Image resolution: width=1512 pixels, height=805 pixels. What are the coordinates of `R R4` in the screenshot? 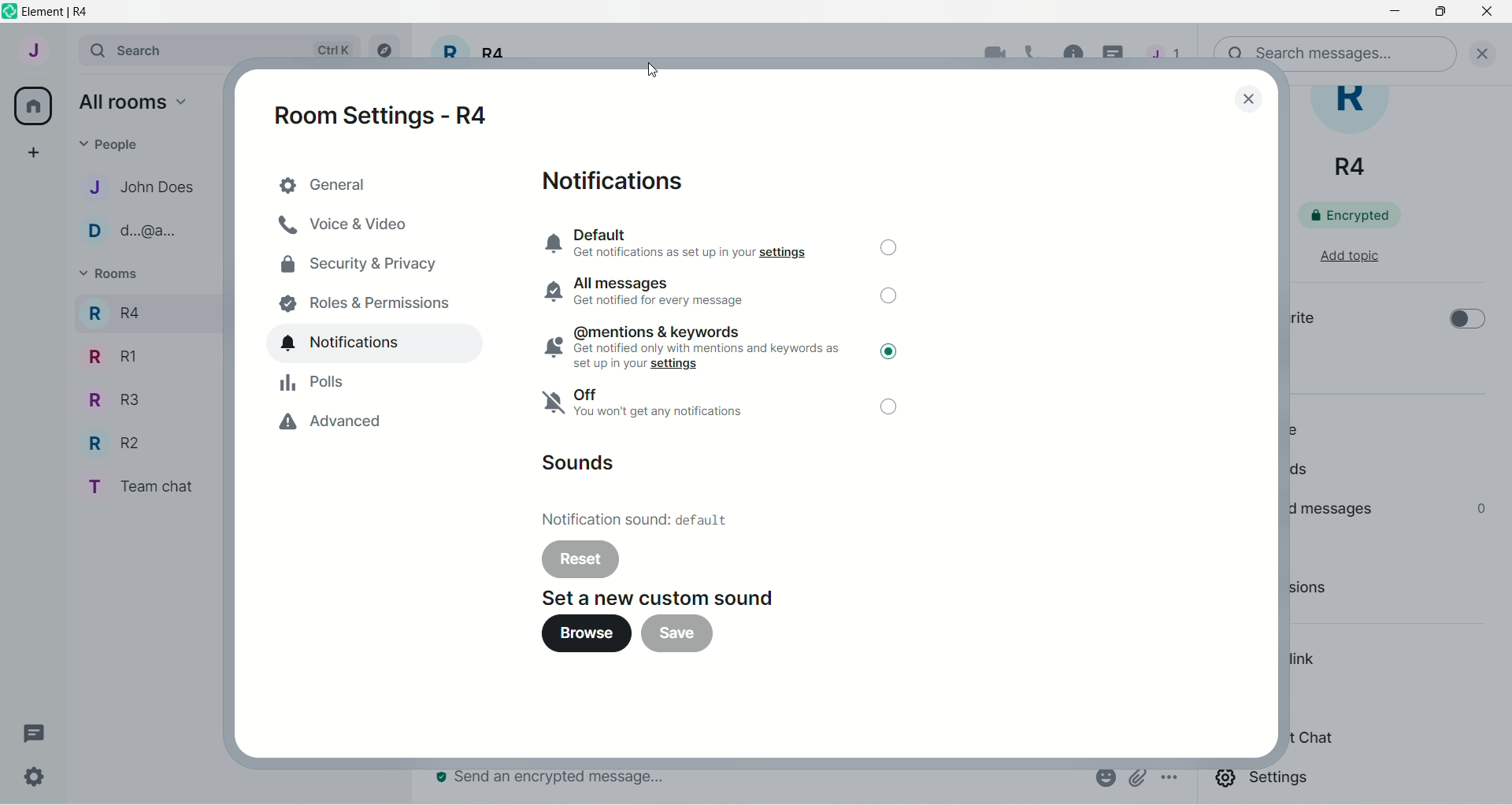 It's located at (113, 310).